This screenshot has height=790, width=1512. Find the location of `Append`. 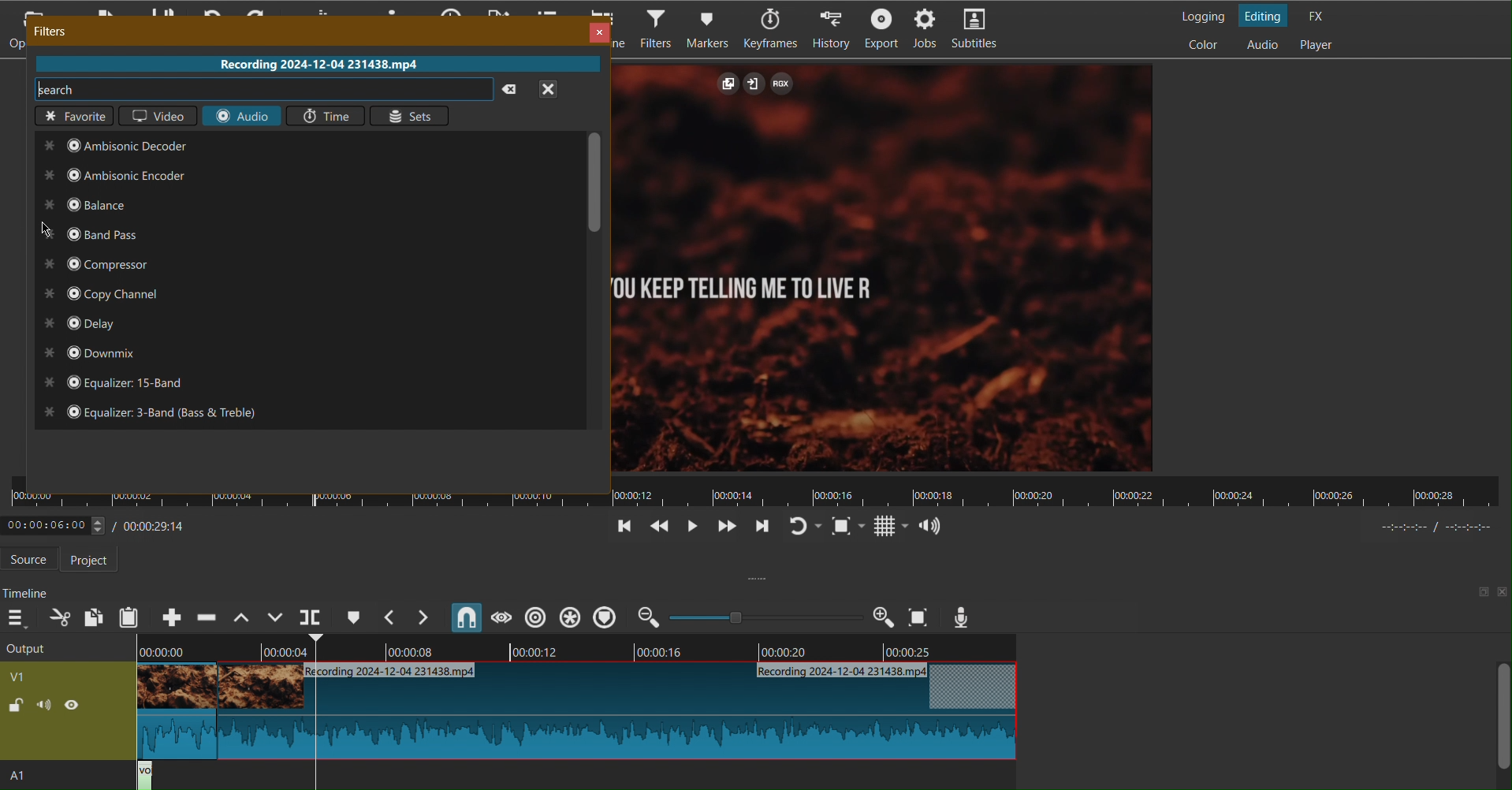

Append is located at coordinates (173, 617).